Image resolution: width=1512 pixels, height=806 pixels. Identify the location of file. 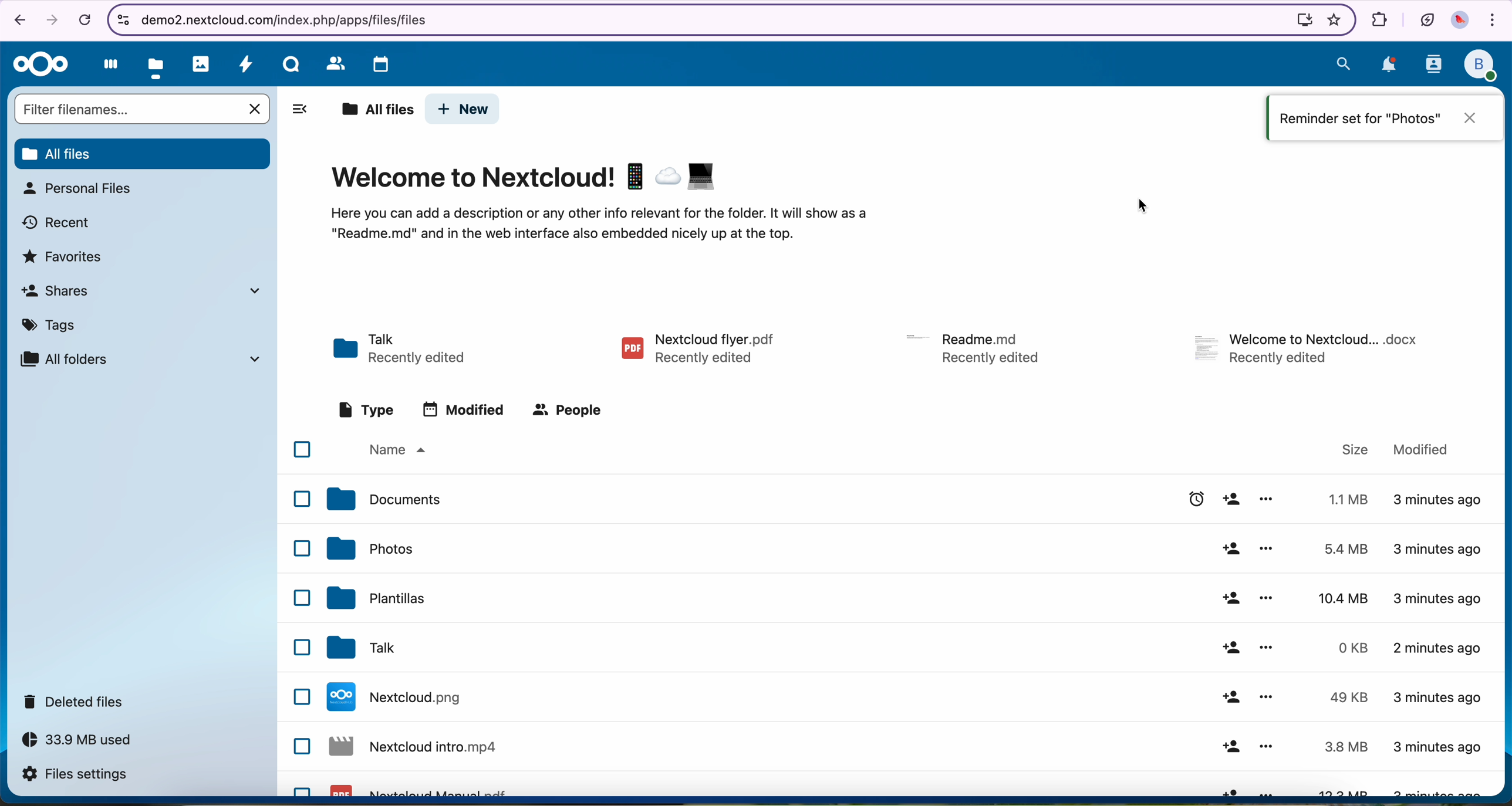
(971, 346).